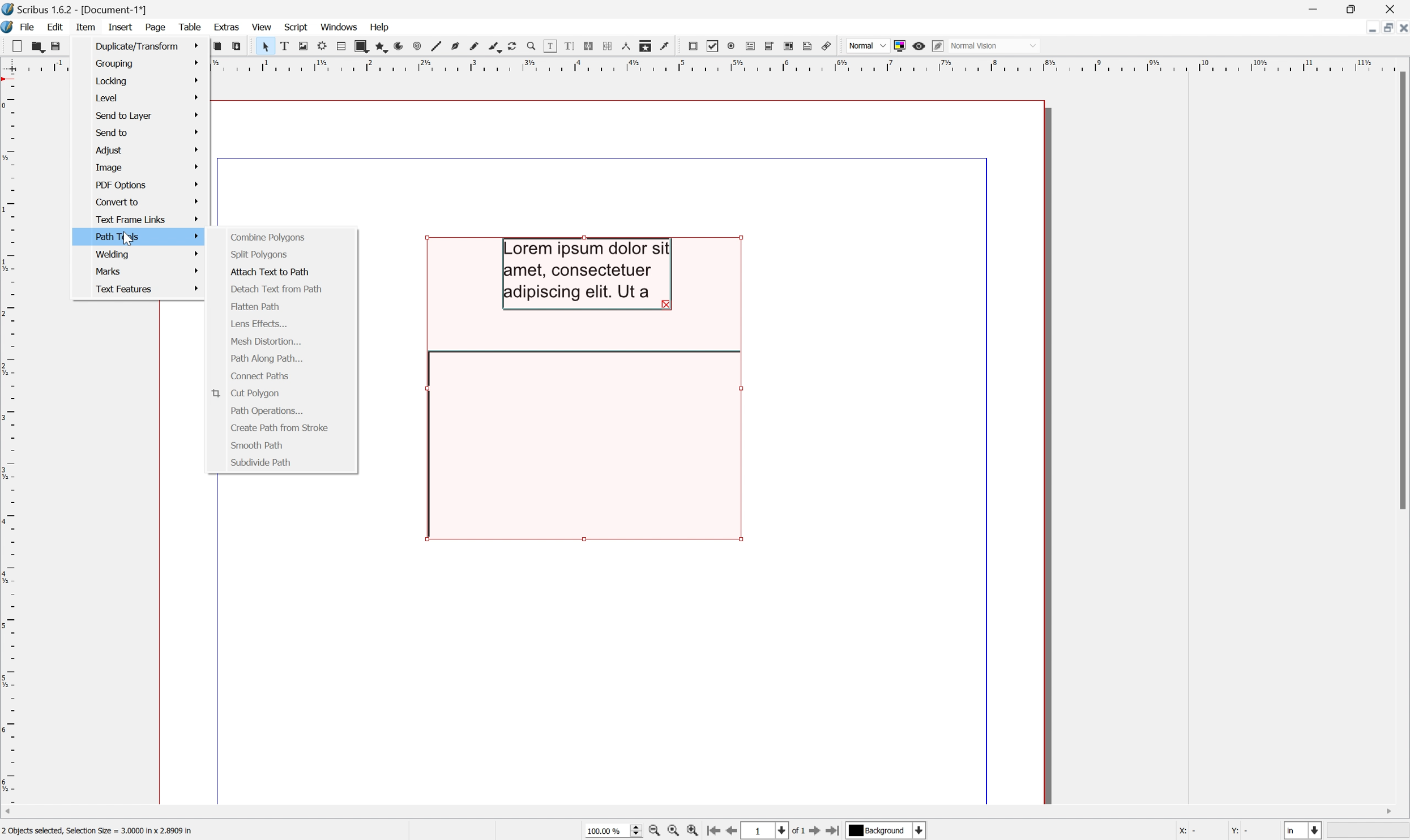  I want to click on Path along path, so click(267, 359).